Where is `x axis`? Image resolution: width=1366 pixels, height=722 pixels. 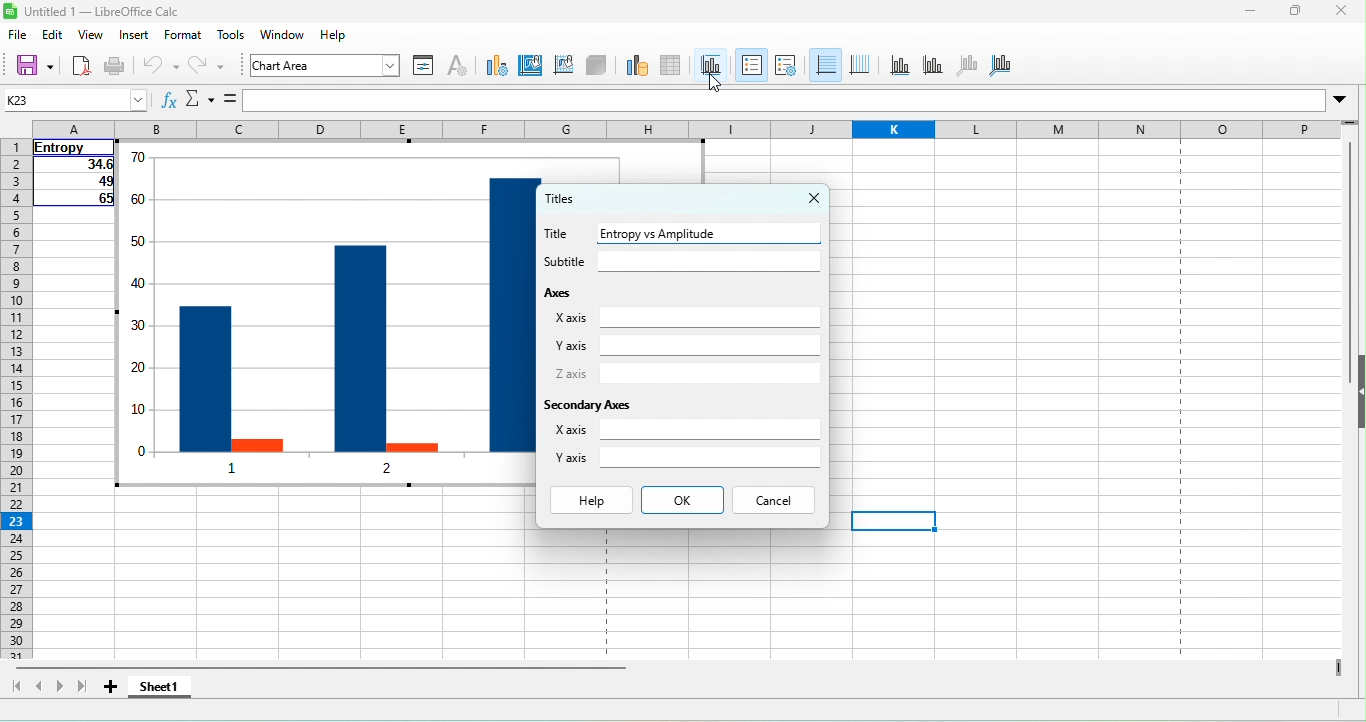
x axis is located at coordinates (689, 434).